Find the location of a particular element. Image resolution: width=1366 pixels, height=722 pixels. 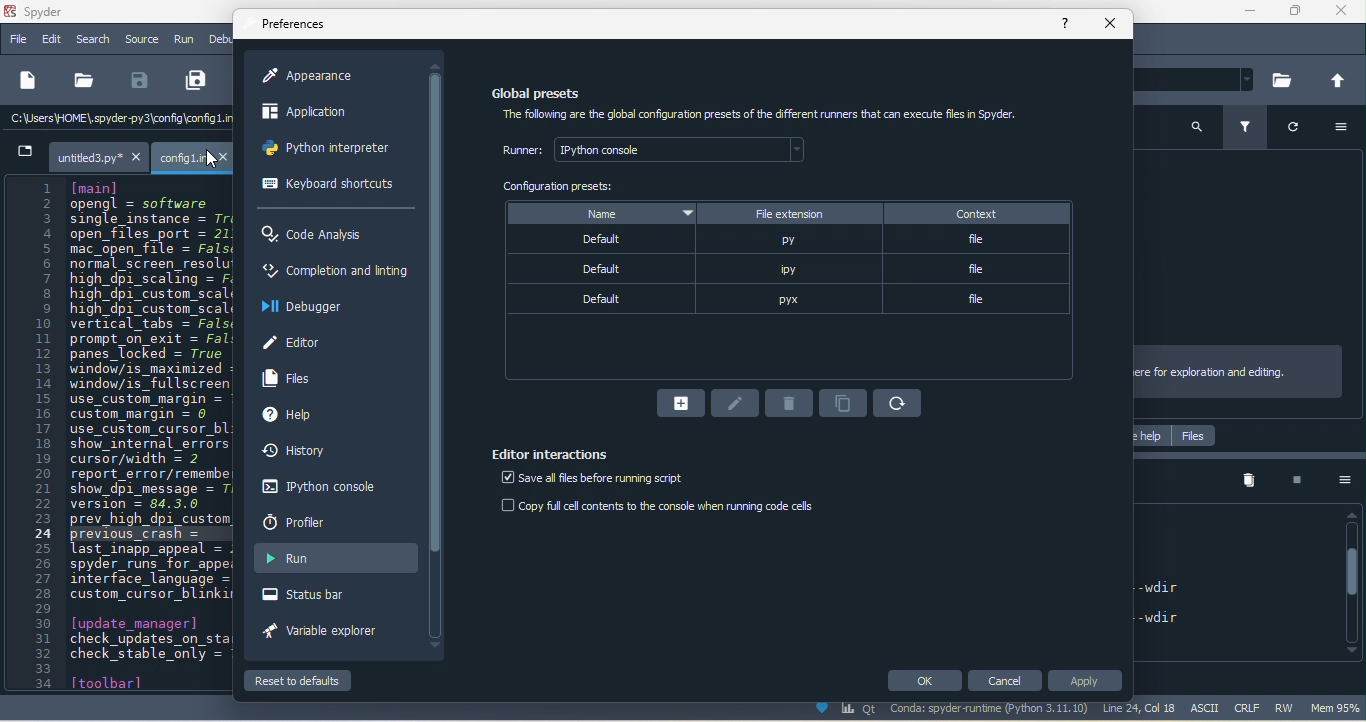

default is located at coordinates (597, 270).